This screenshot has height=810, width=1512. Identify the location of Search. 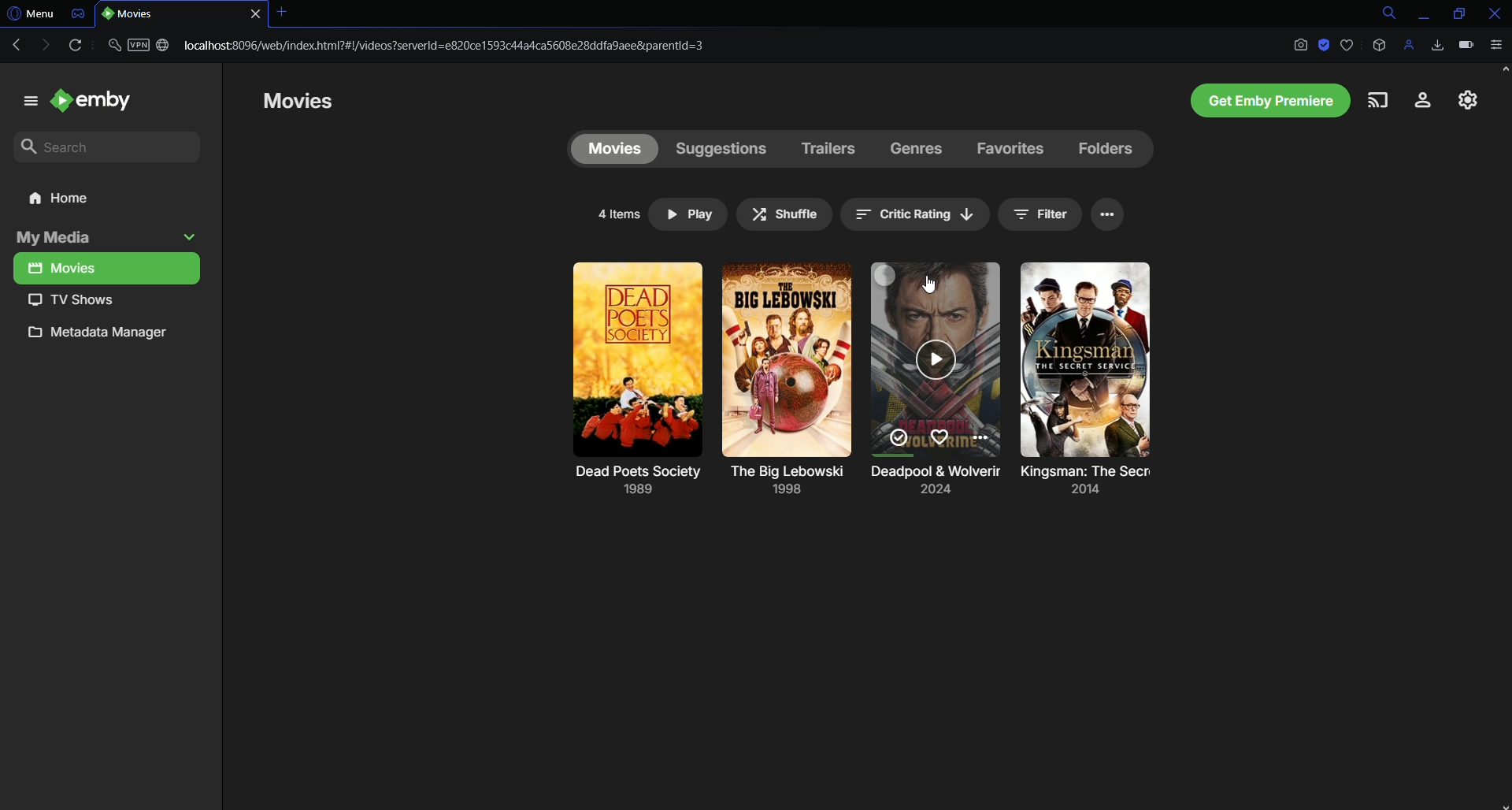
(112, 145).